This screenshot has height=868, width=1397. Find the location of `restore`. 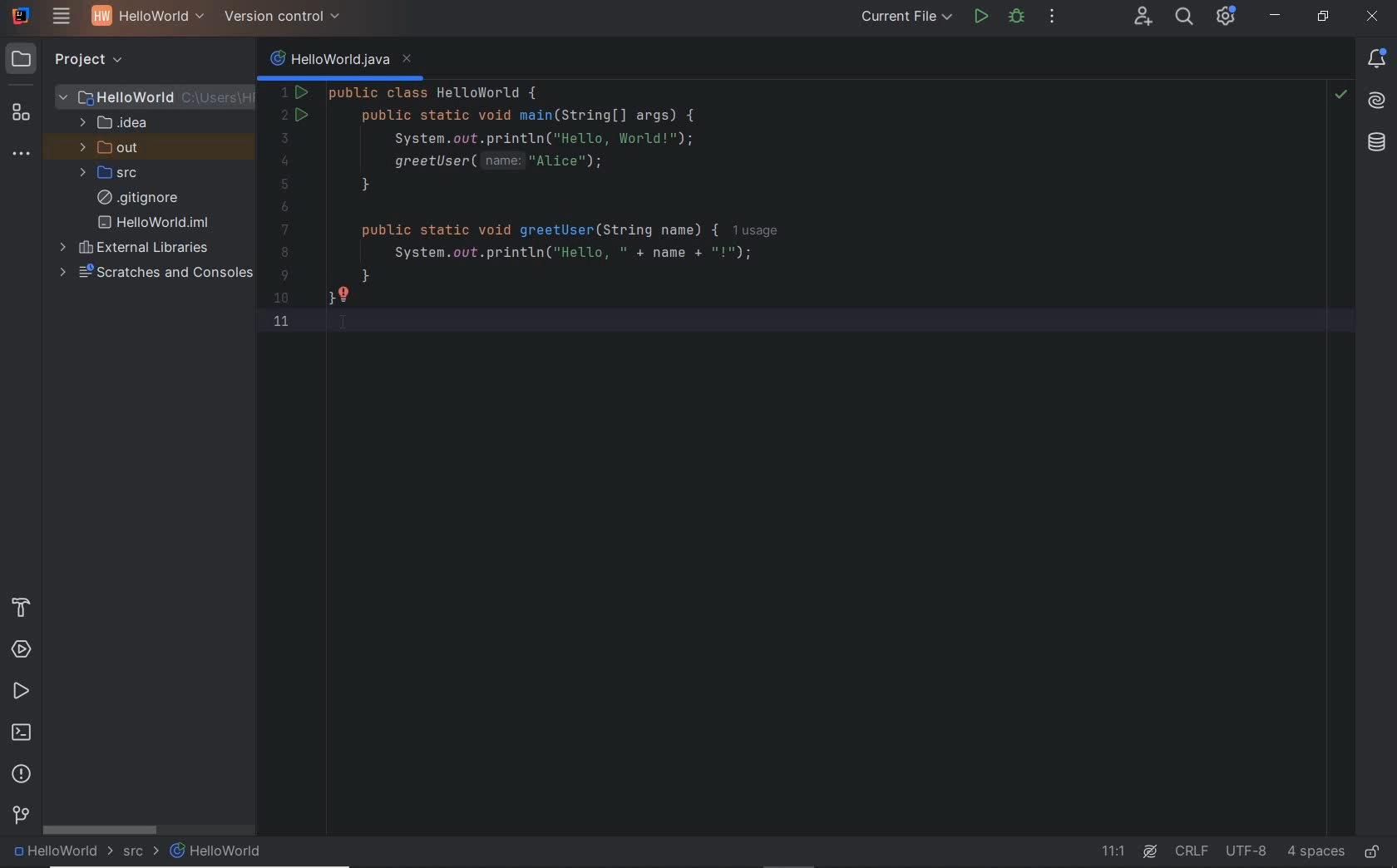

restore is located at coordinates (1322, 17).